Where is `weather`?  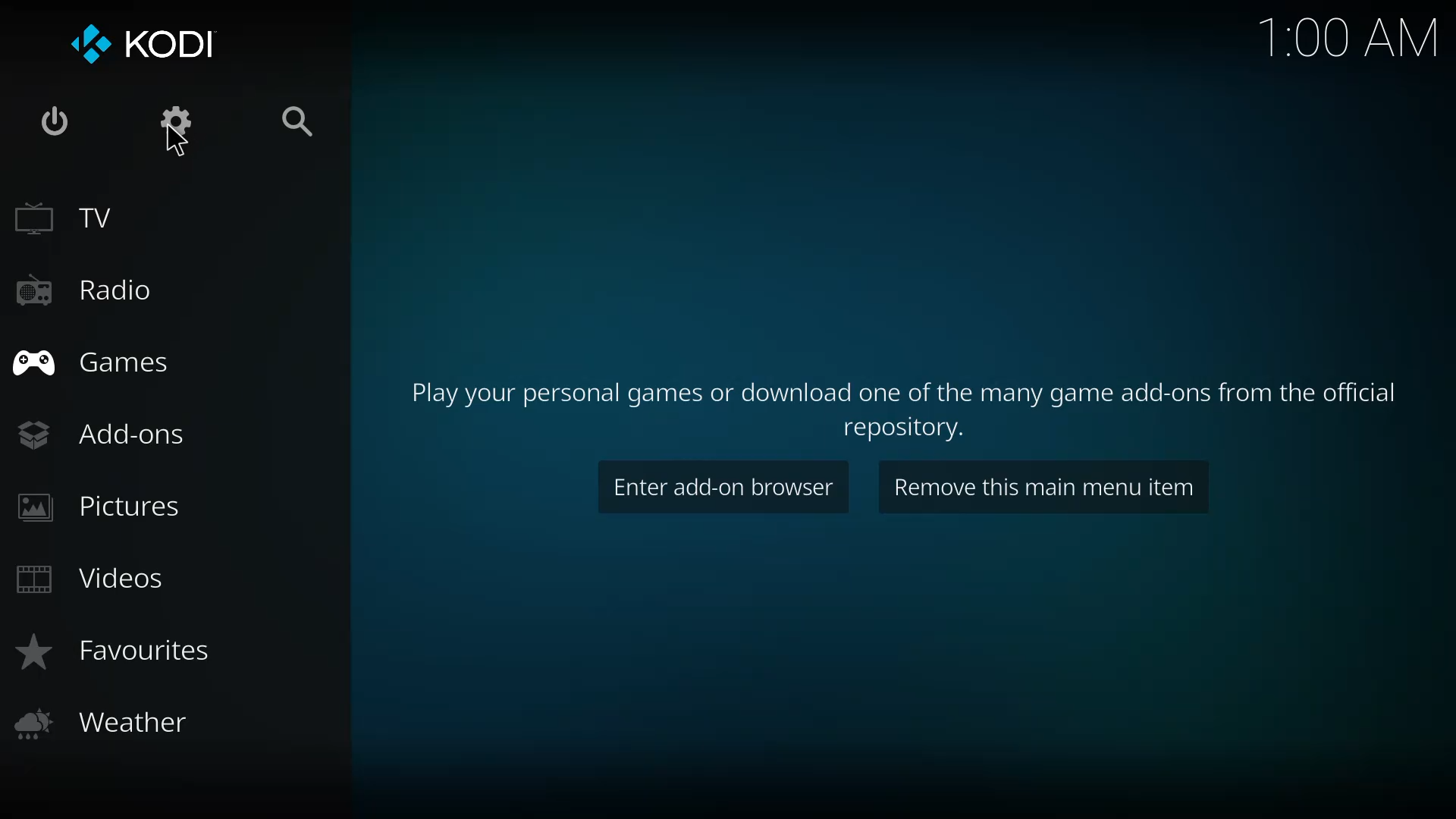 weather is located at coordinates (99, 726).